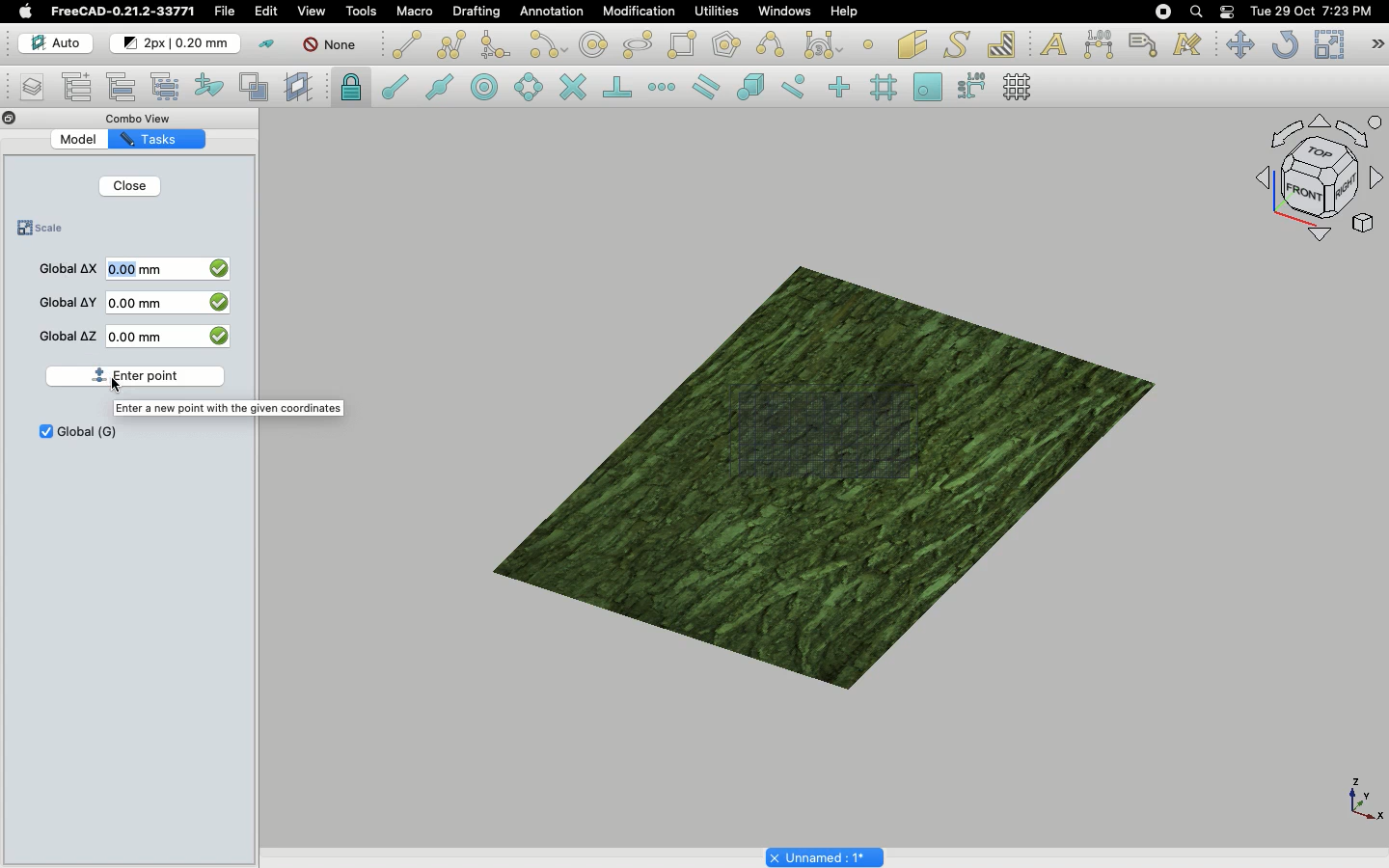  Describe the element at coordinates (392, 84) in the screenshot. I see `Snap endpoint` at that location.